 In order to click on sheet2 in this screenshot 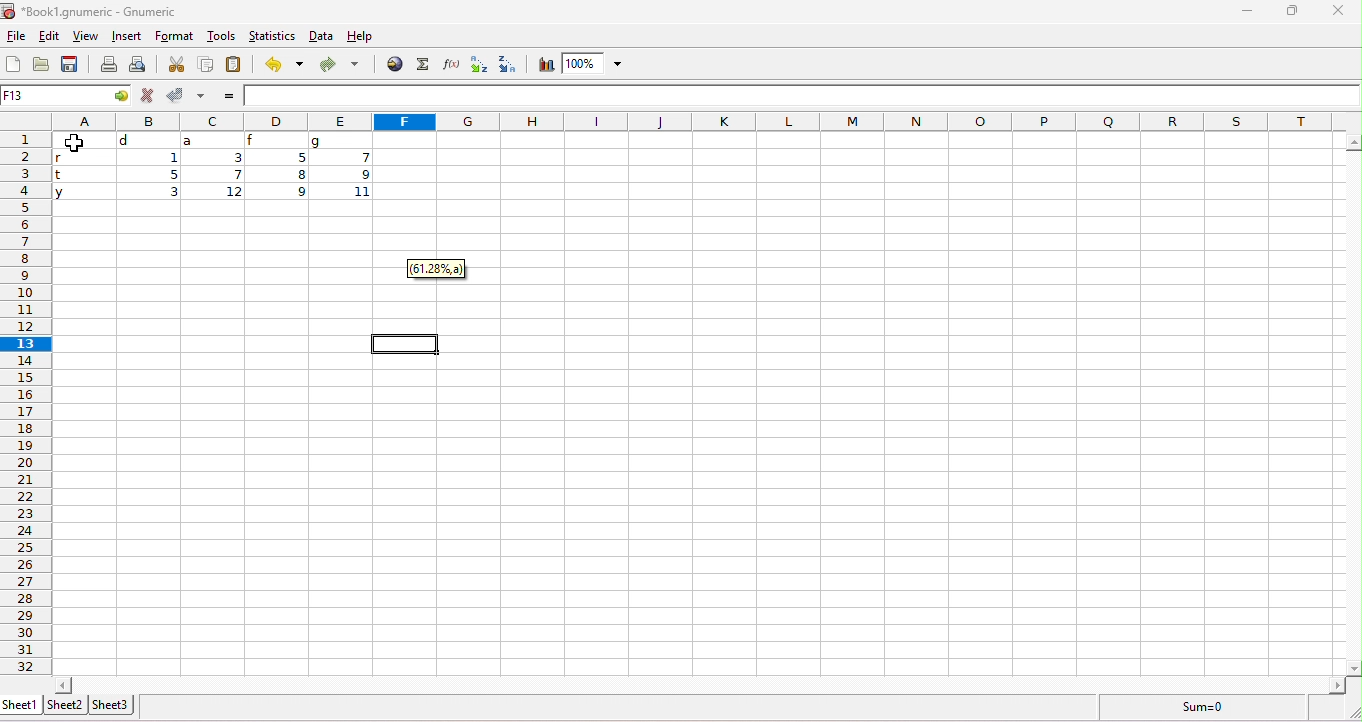, I will do `click(65, 705)`.